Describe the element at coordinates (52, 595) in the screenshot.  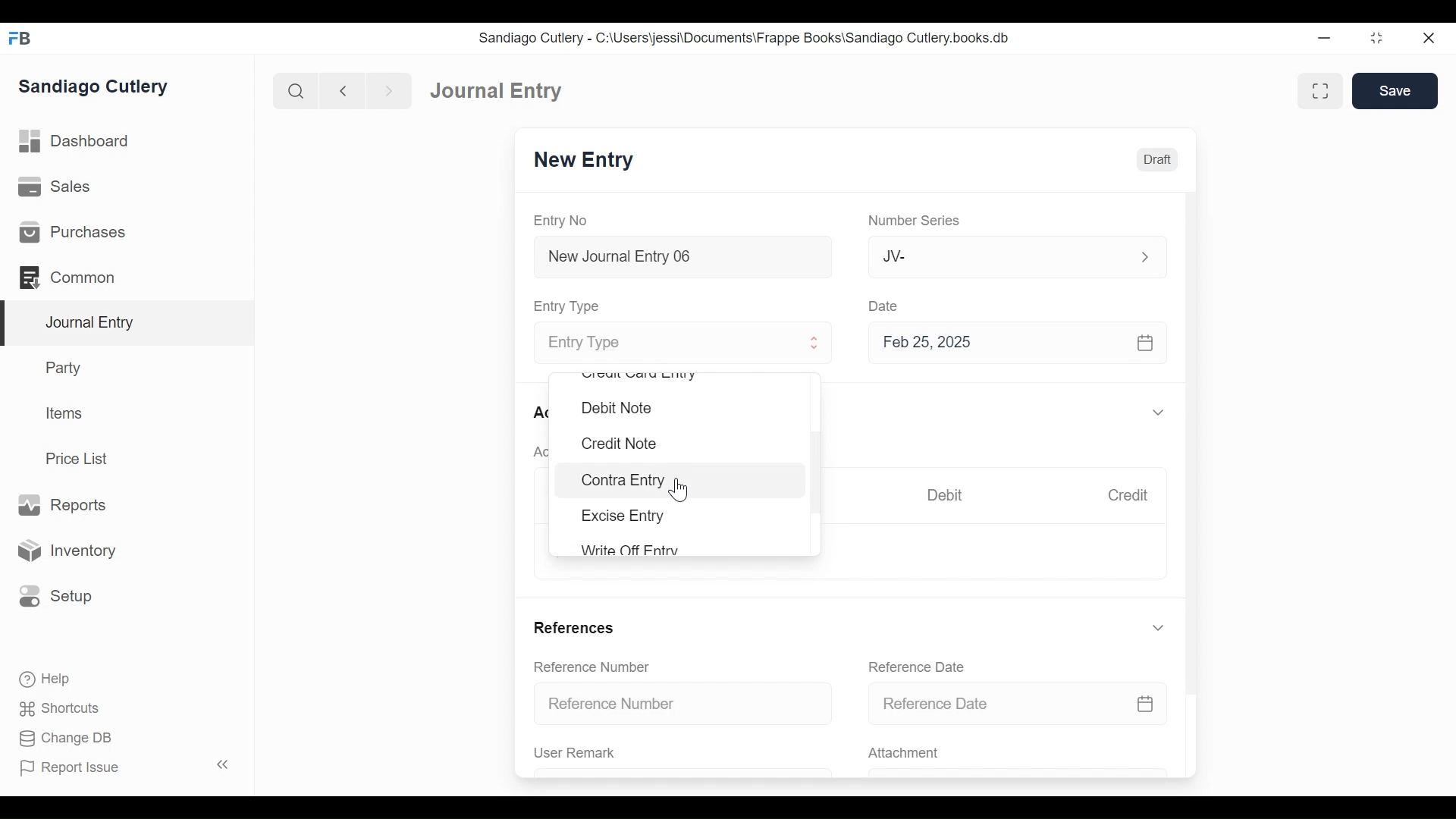
I see `Setup` at that location.